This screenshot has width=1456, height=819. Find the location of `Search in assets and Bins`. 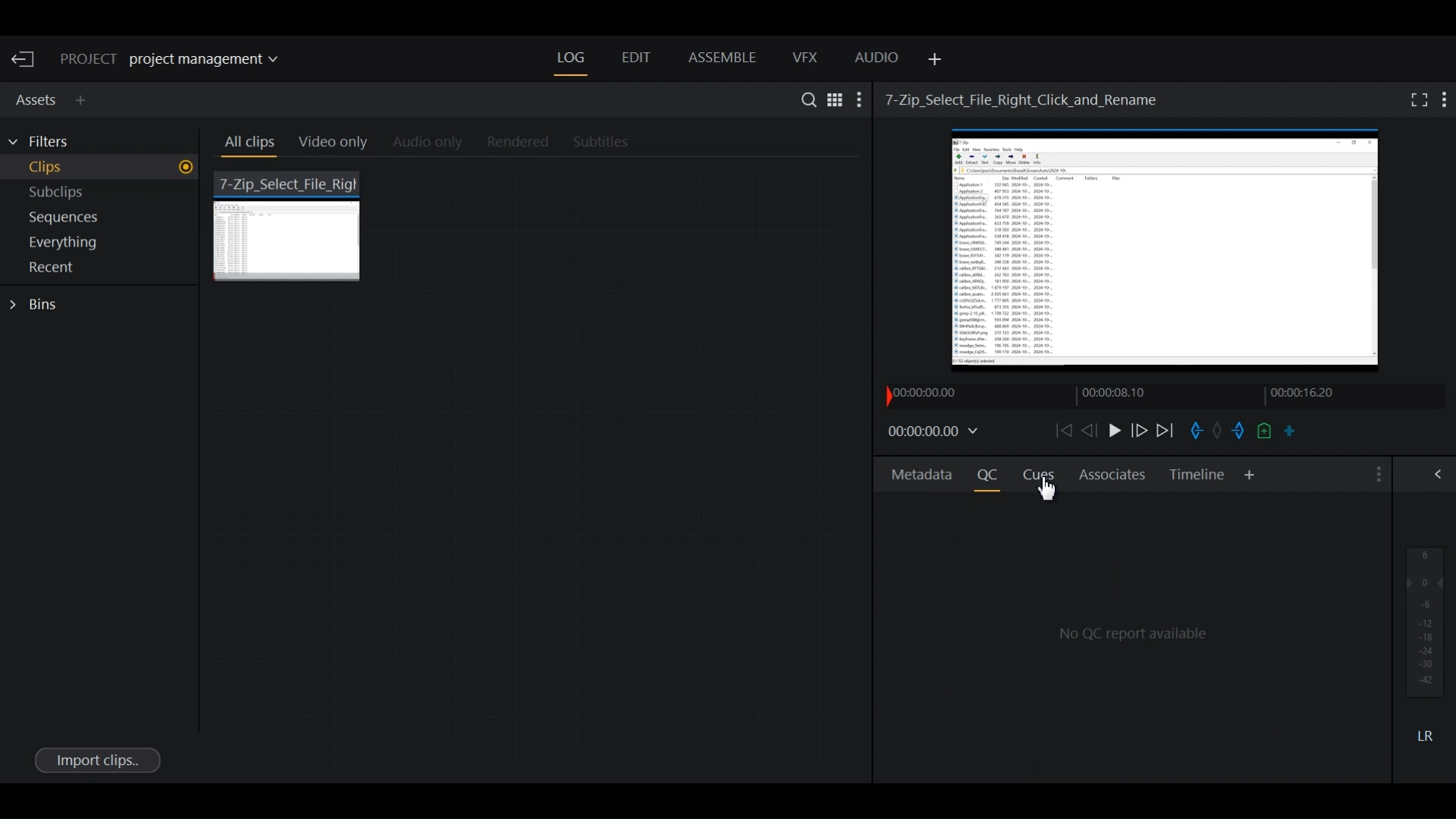

Search in assets and Bins is located at coordinates (805, 99).